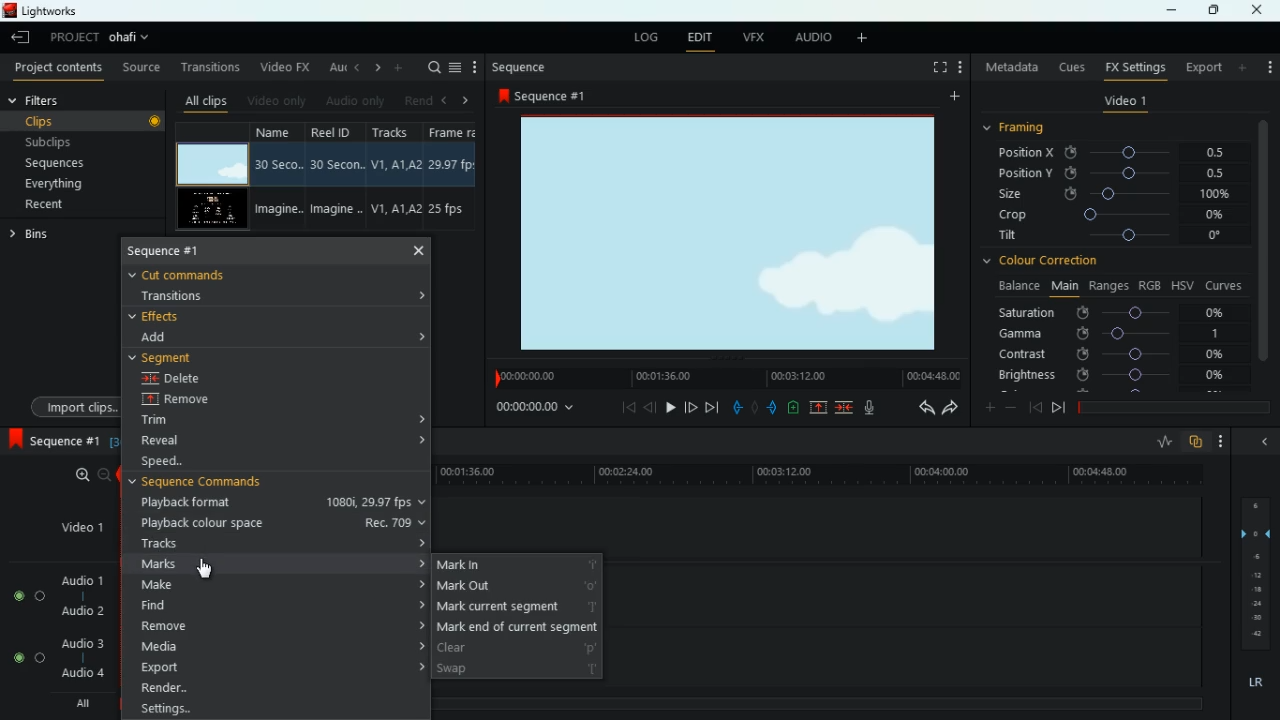 This screenshot has width=1280, height=720. I want to click on minimize, so click(1175, 10).